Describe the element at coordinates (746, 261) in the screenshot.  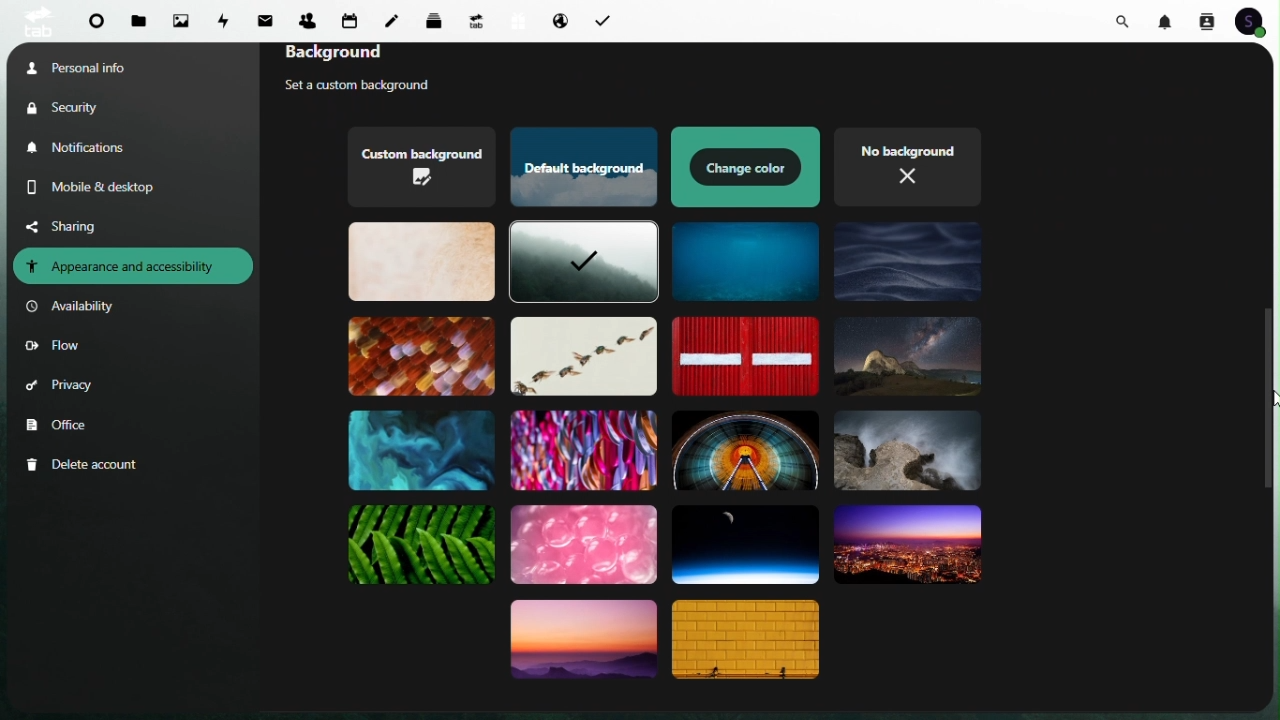
I see `Themes` at that location.